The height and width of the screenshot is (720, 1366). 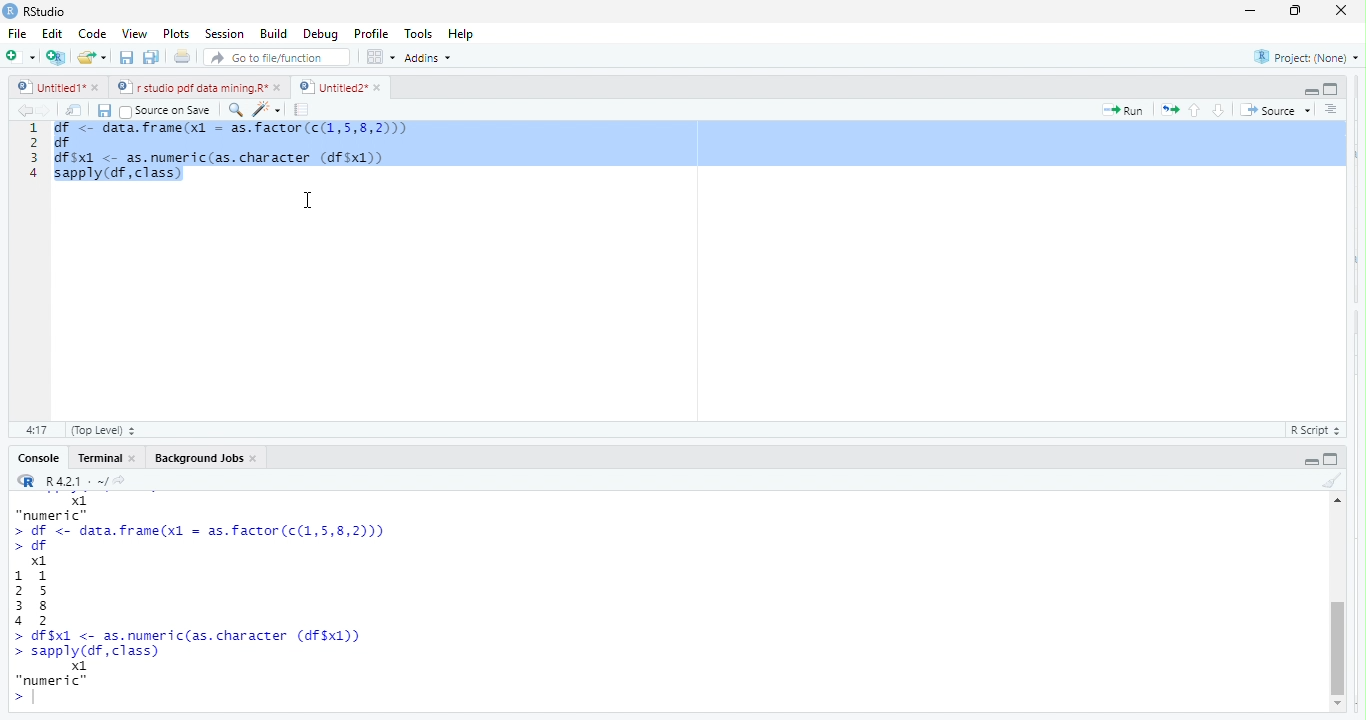 What do you see at coordinates (100, 458) in the screenshot?
I see `Terminal` at bounding box center [100, 458].